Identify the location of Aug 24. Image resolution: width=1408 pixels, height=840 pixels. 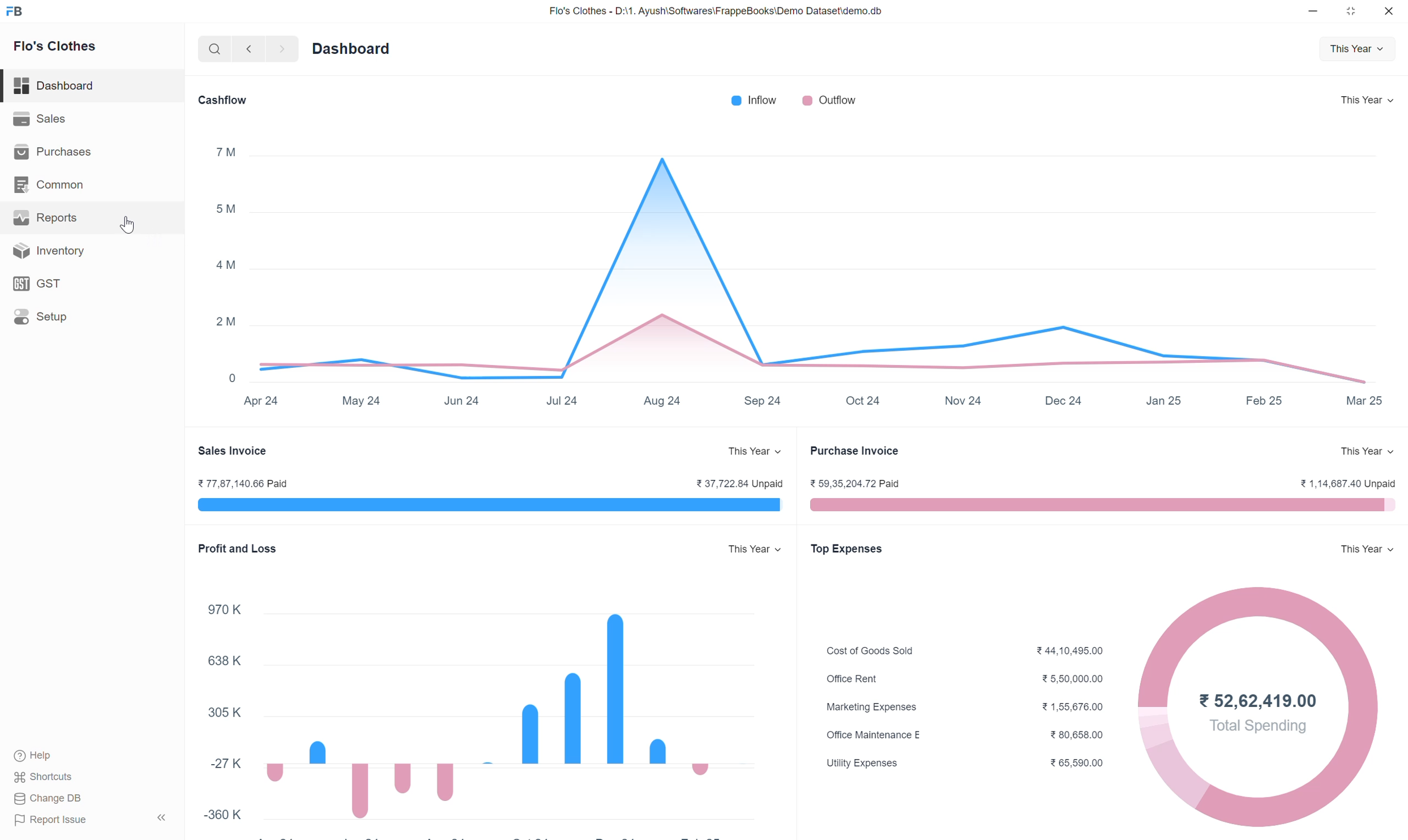
(655, 402).